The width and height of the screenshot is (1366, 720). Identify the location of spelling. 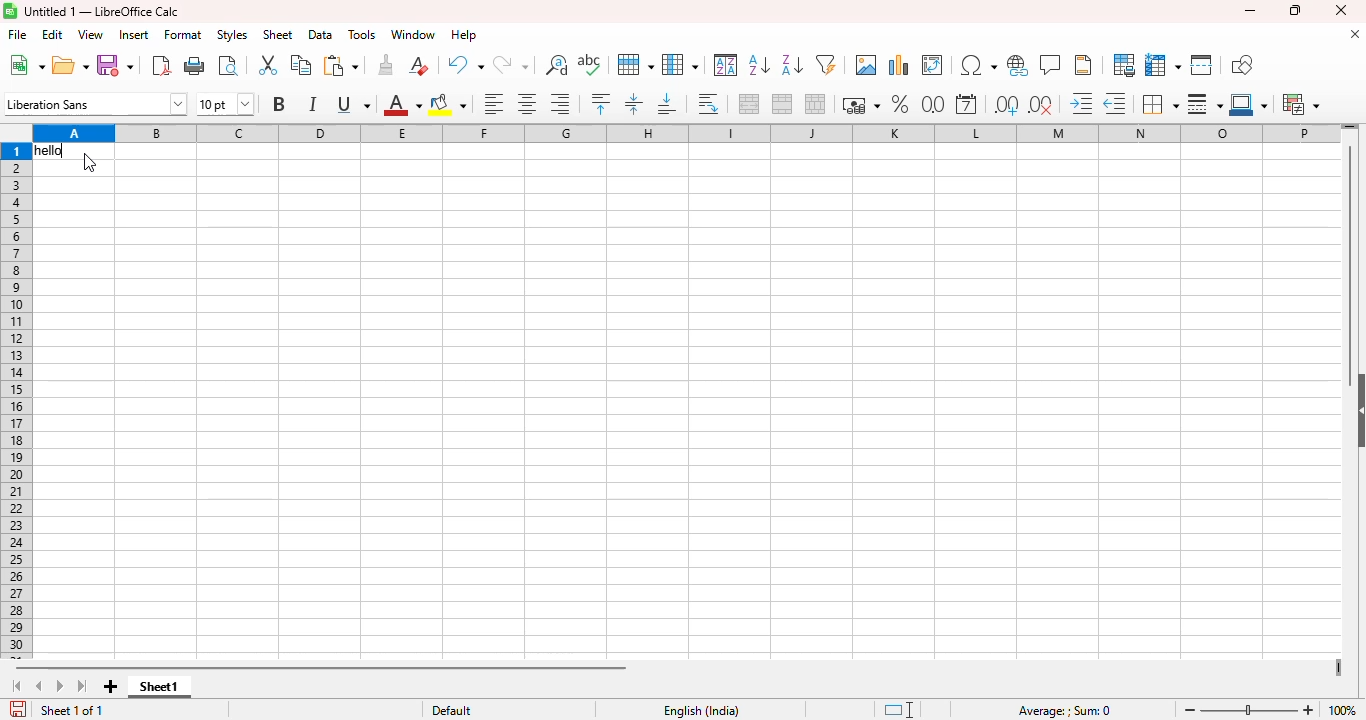
(589, 64).